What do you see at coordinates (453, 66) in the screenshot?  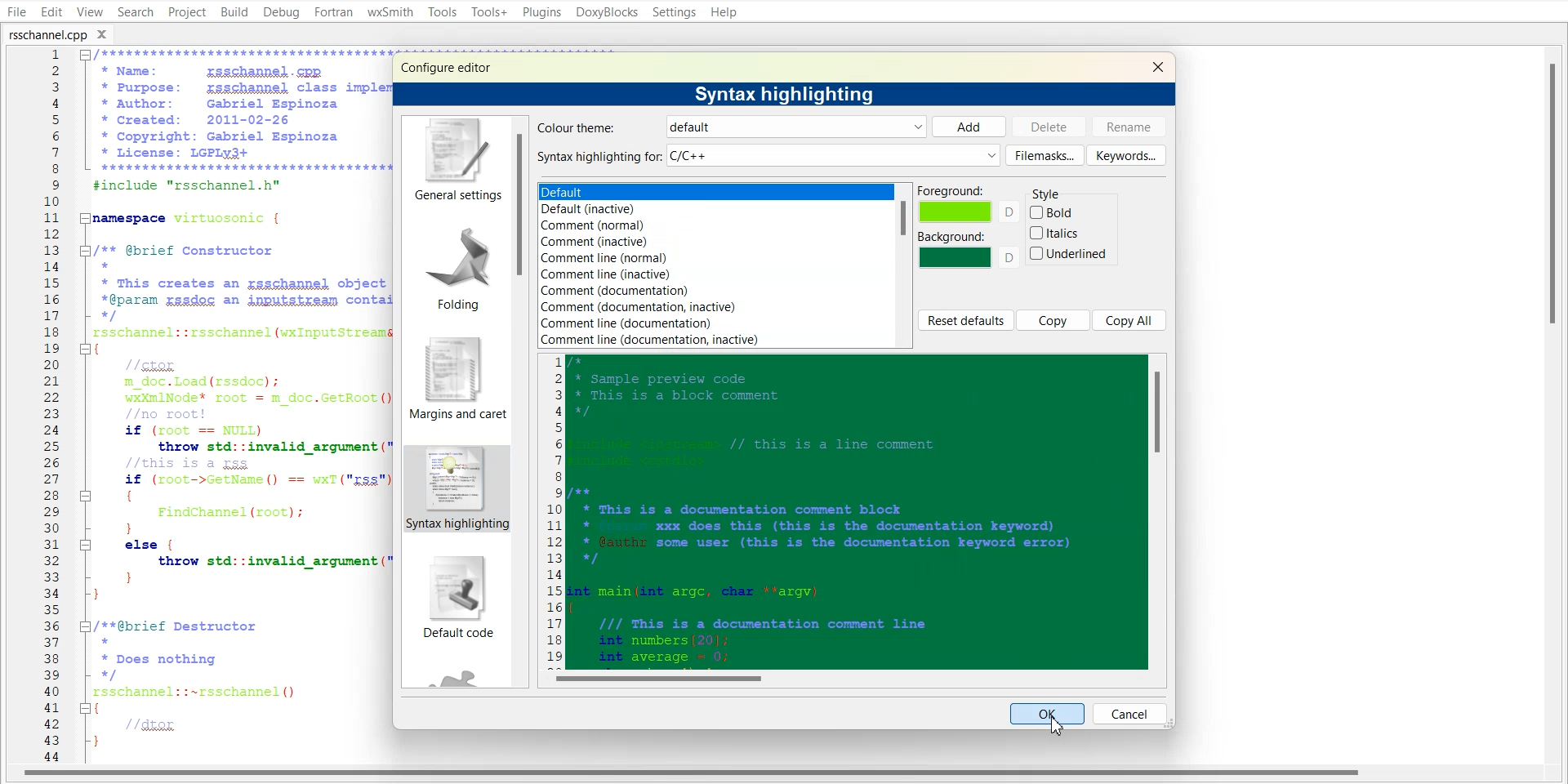 I see `Configure editor` at bounding box center [453, 66].